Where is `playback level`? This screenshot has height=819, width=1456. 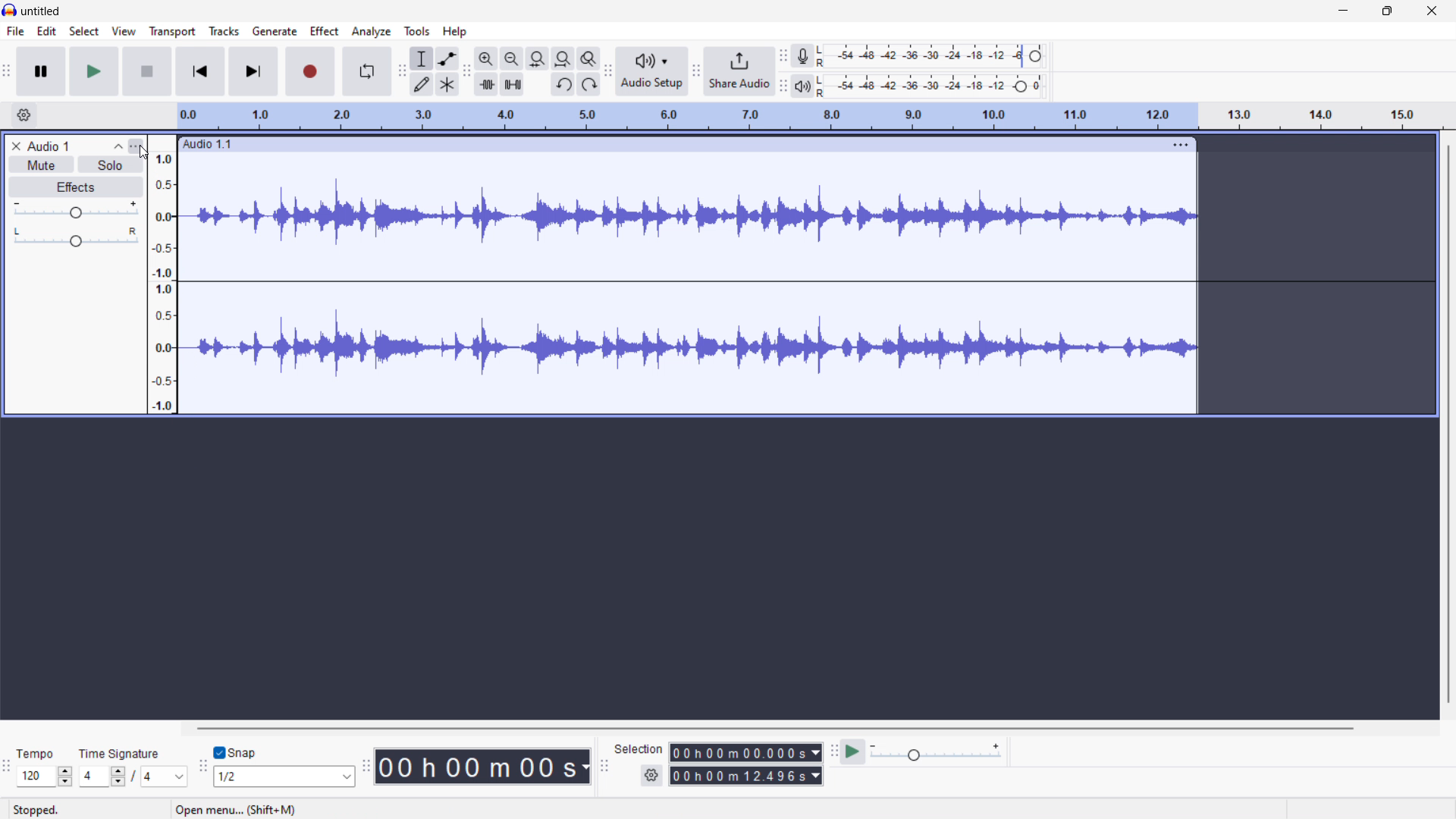
playback level is located at coordinates (929, 86).